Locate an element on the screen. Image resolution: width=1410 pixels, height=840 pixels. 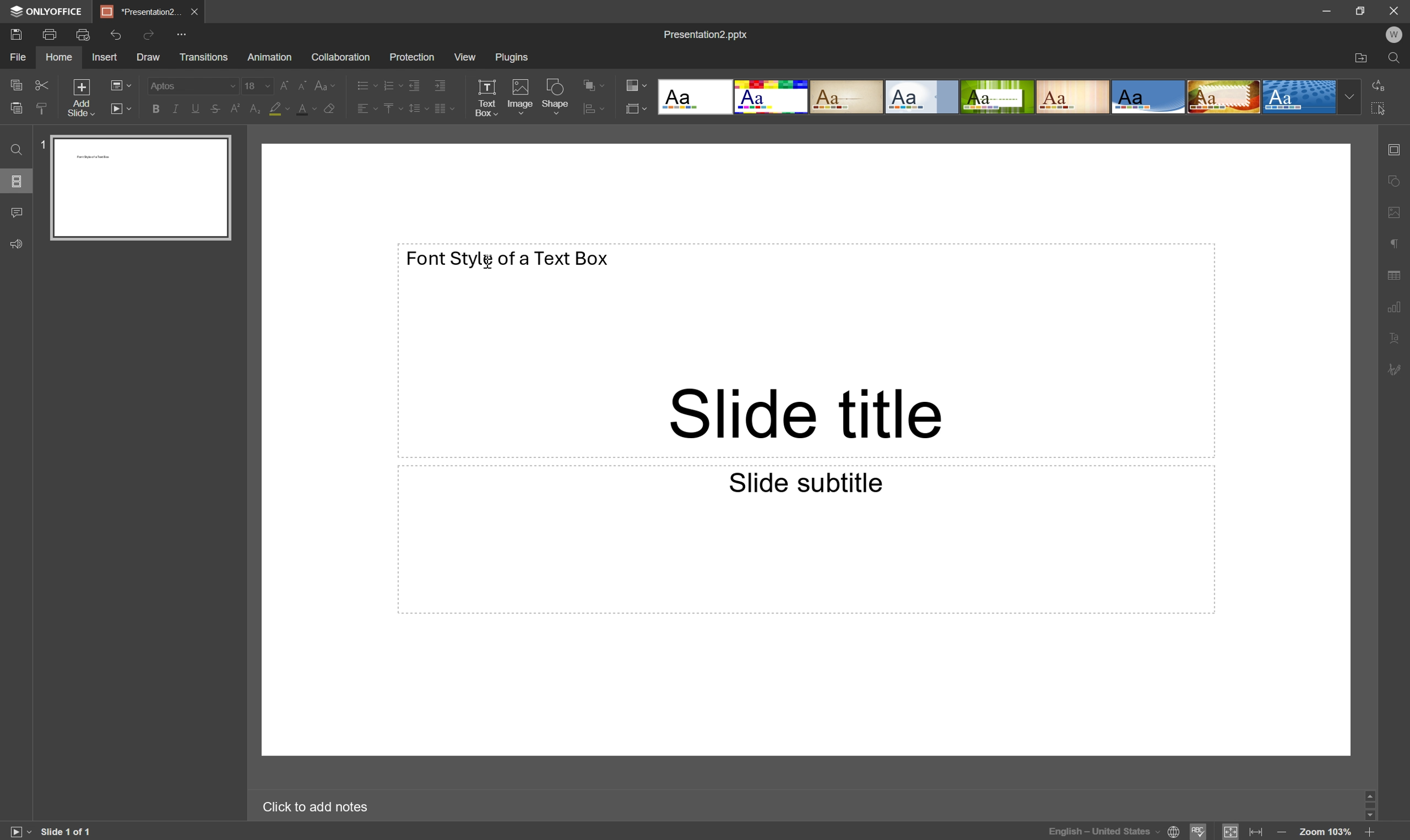
Insert is located at coordinates (107, 57).